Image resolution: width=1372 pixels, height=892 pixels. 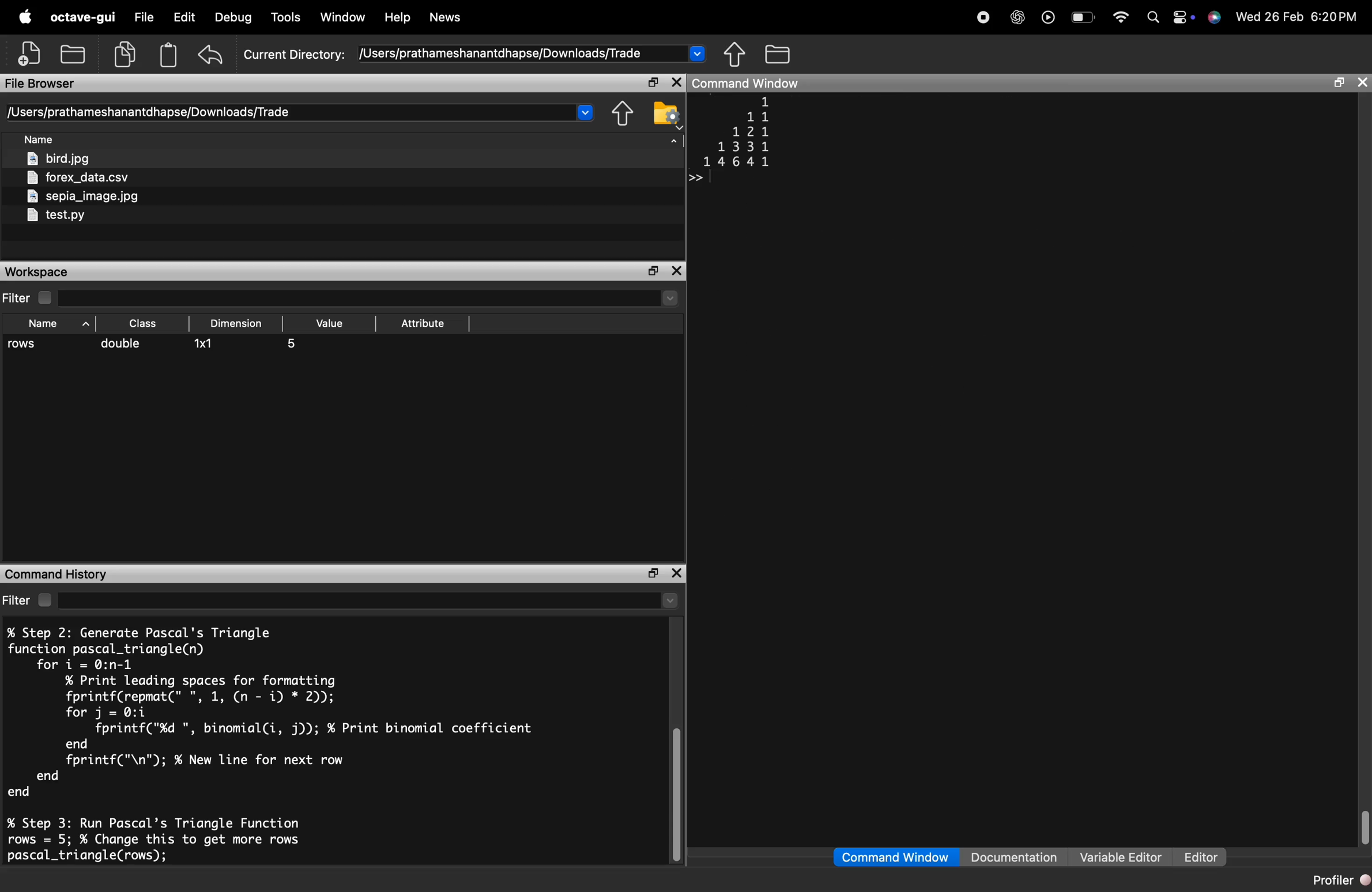 I want to click on clipboard, so click(x=169, y=55).